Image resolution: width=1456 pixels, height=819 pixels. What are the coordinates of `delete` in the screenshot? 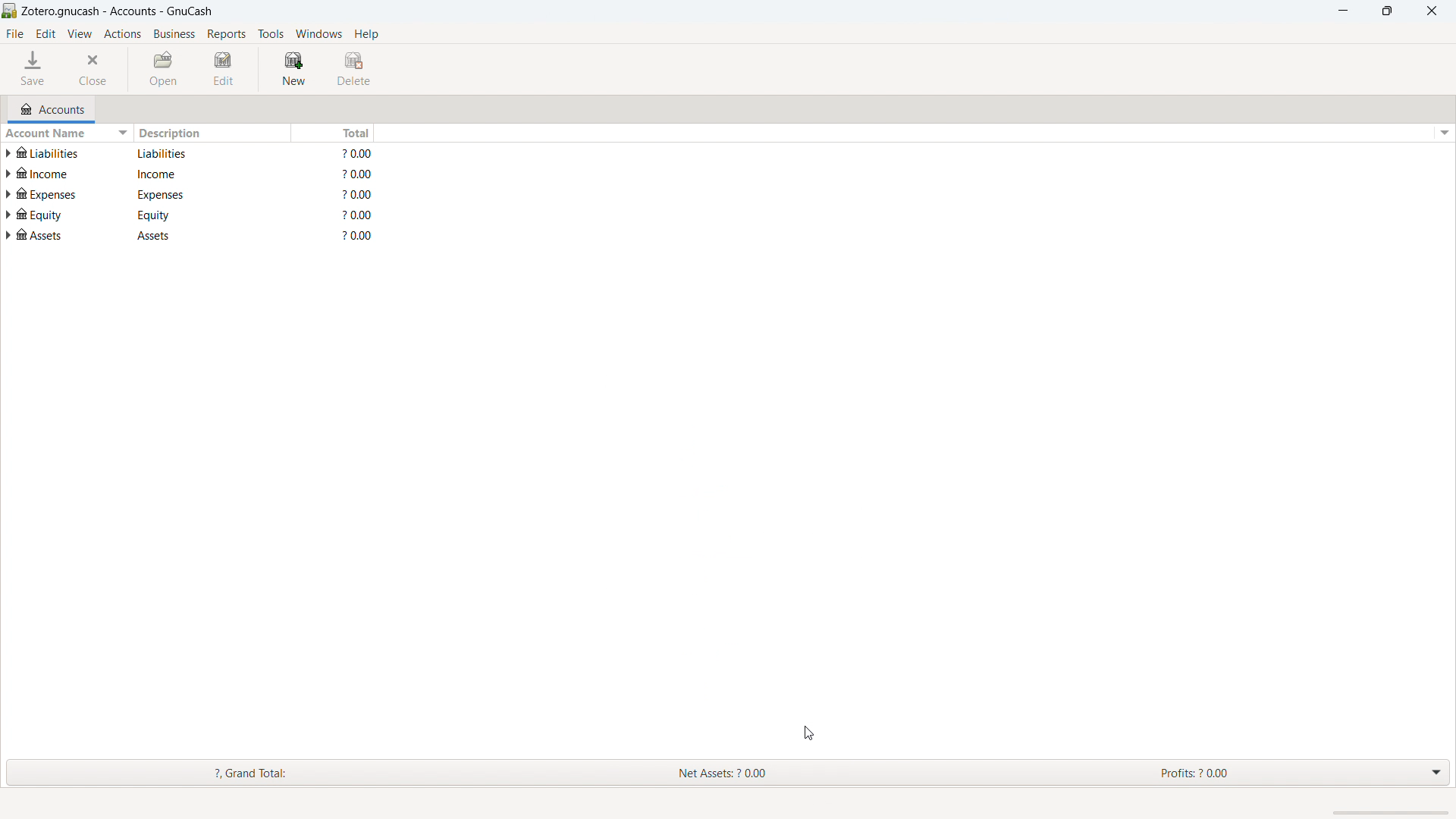 It's located at (354, 67).